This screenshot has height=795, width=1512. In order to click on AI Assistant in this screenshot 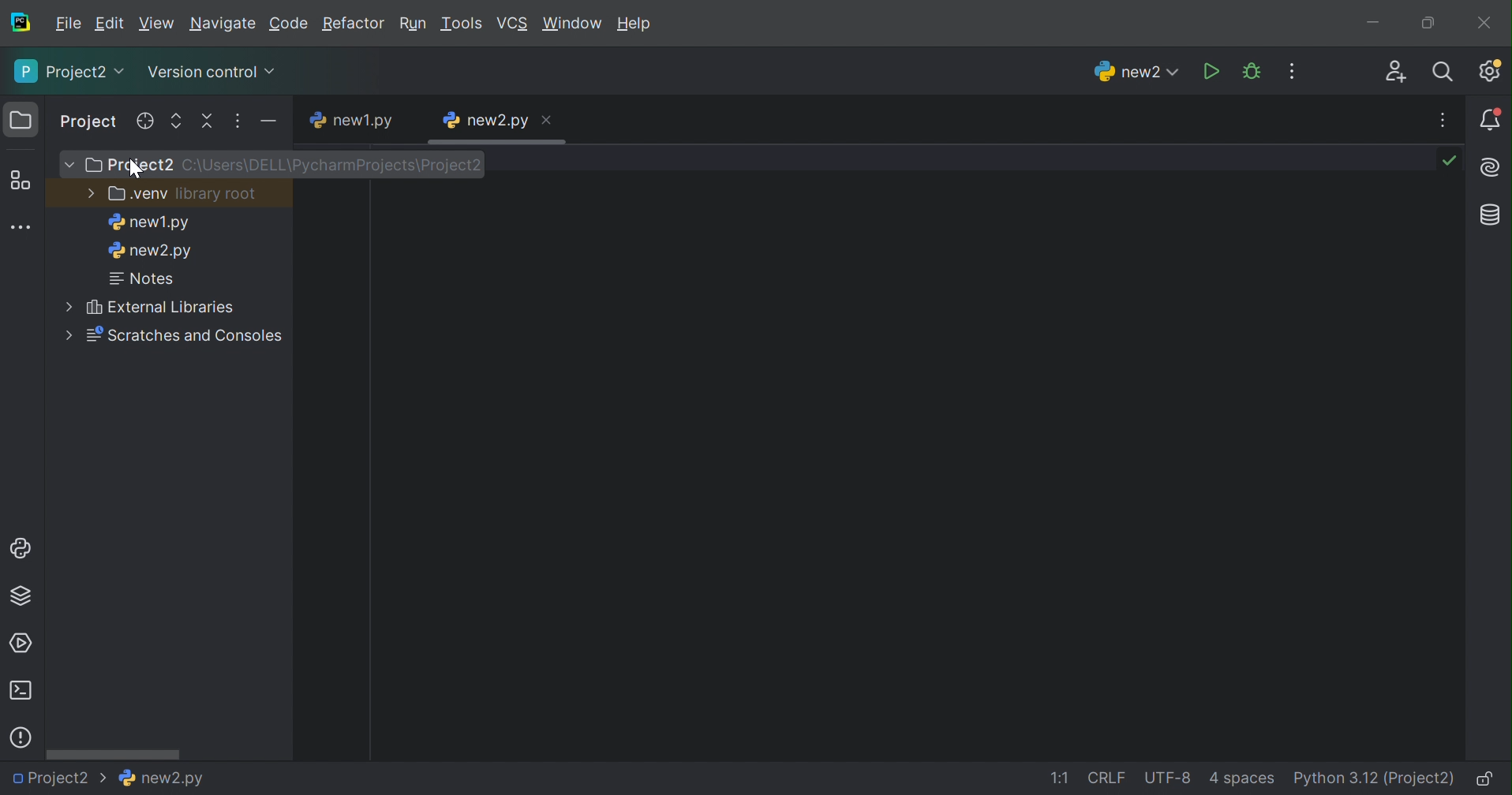, I will do `click(1492, 167)`.